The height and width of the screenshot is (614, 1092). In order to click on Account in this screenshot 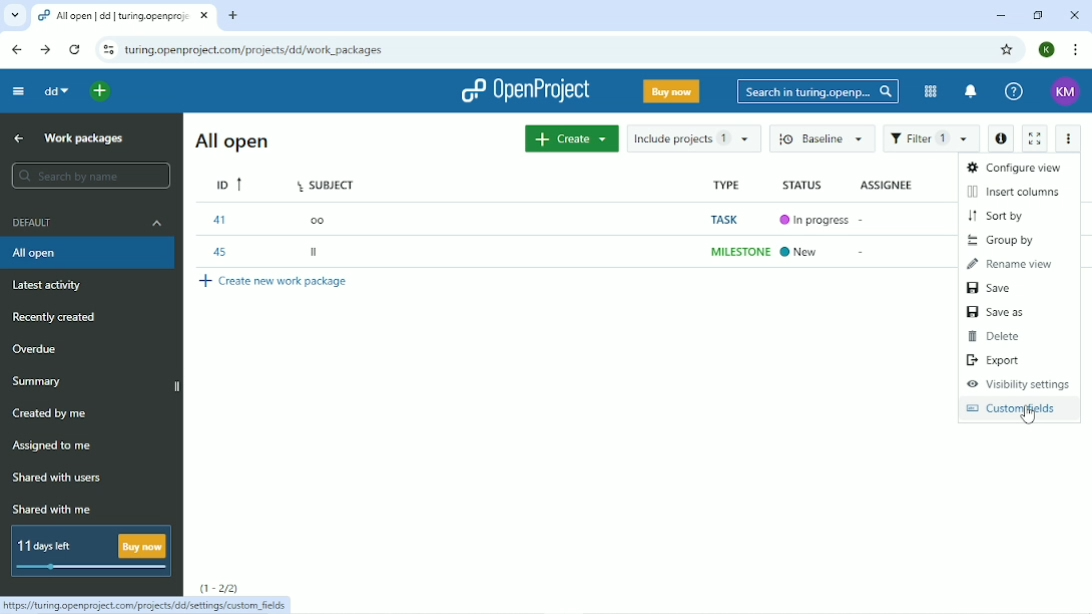, I will do `click(1046, 49)`.